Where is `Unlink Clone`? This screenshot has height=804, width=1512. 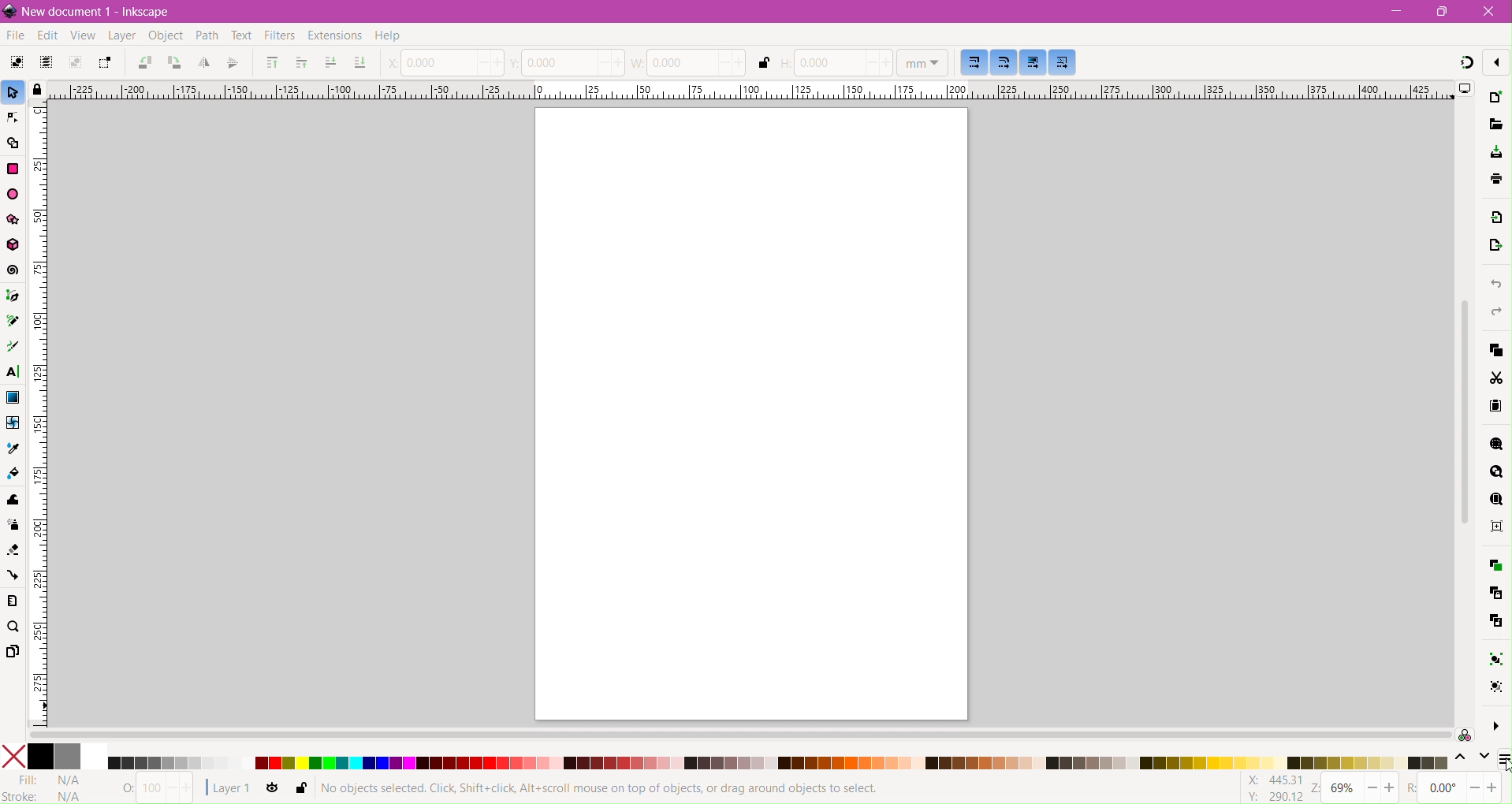
Unlink Clone is located at coordinates (1495, 623).